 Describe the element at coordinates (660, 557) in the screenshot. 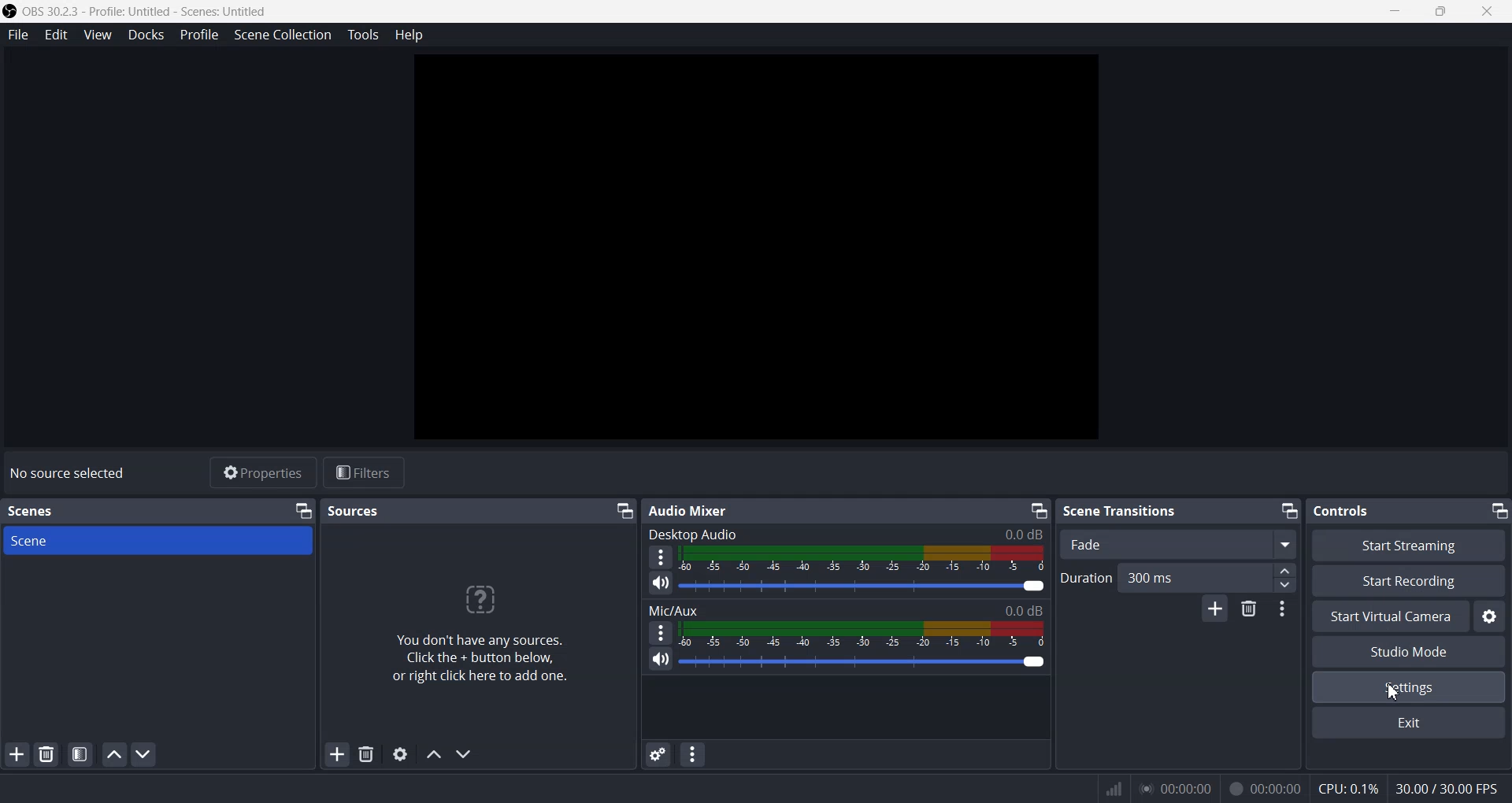

I see `More` at that location.